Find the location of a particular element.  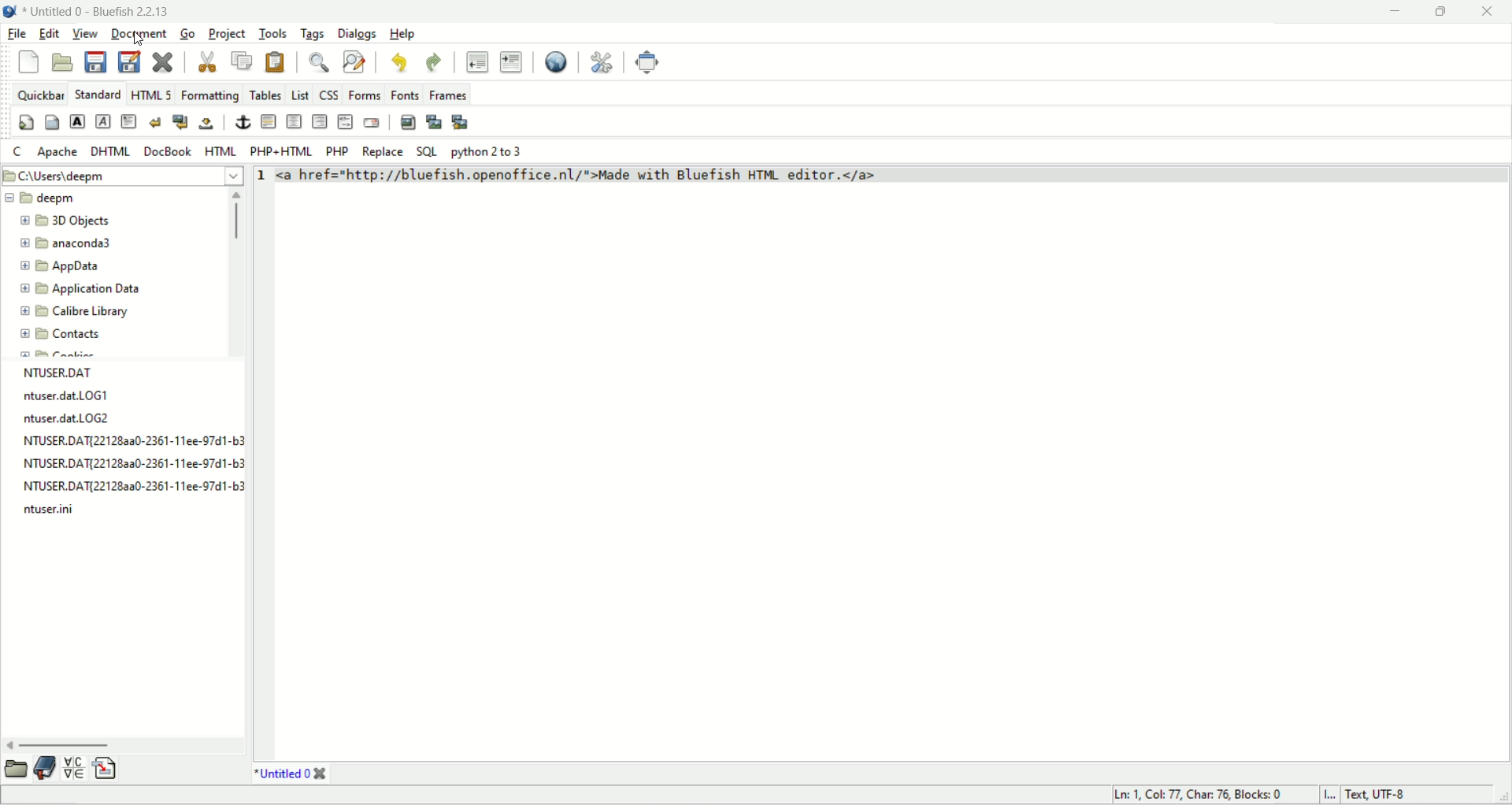

strong is located at coordinates (76, 123).